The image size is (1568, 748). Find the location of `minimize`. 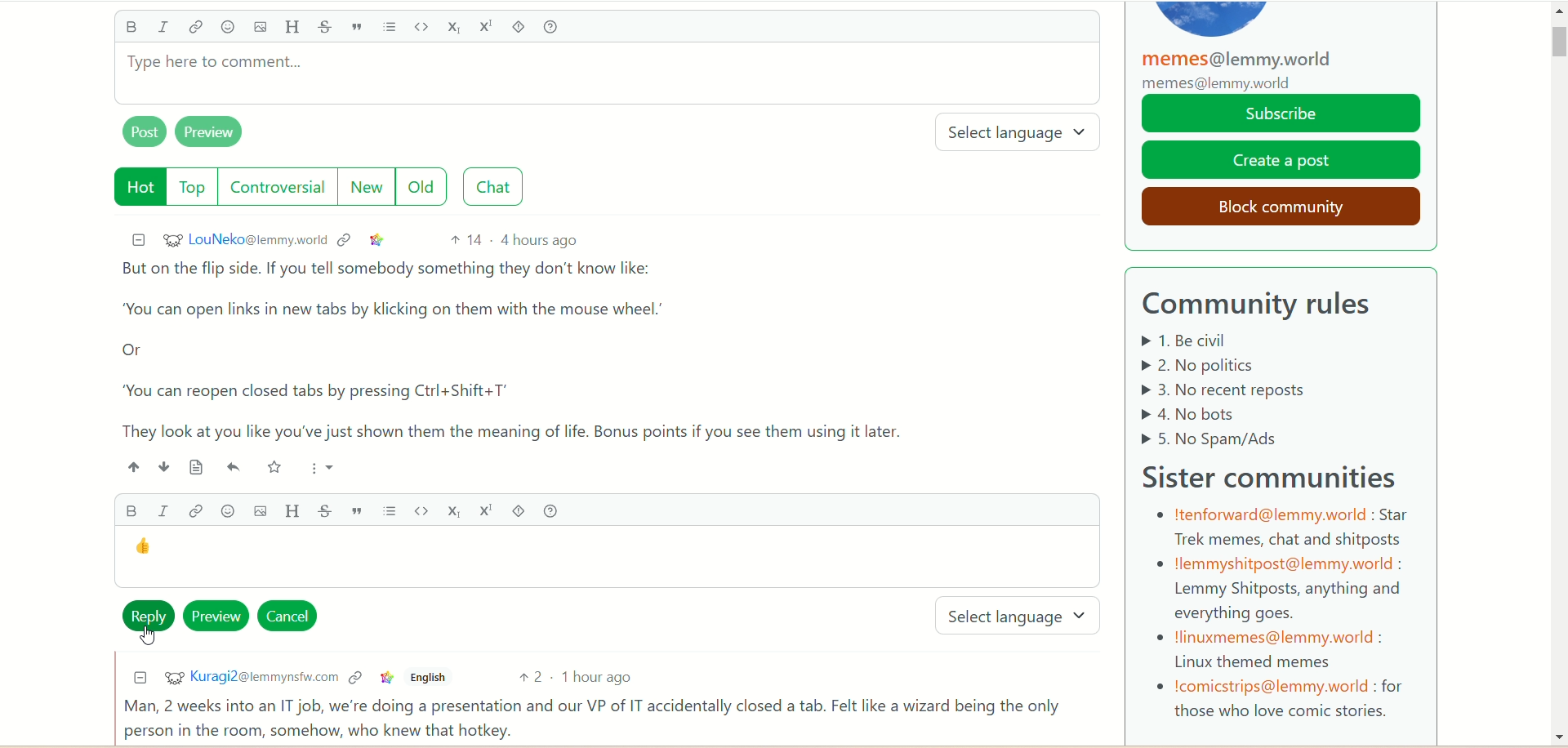

minimize is located at coordinates (134, 238).